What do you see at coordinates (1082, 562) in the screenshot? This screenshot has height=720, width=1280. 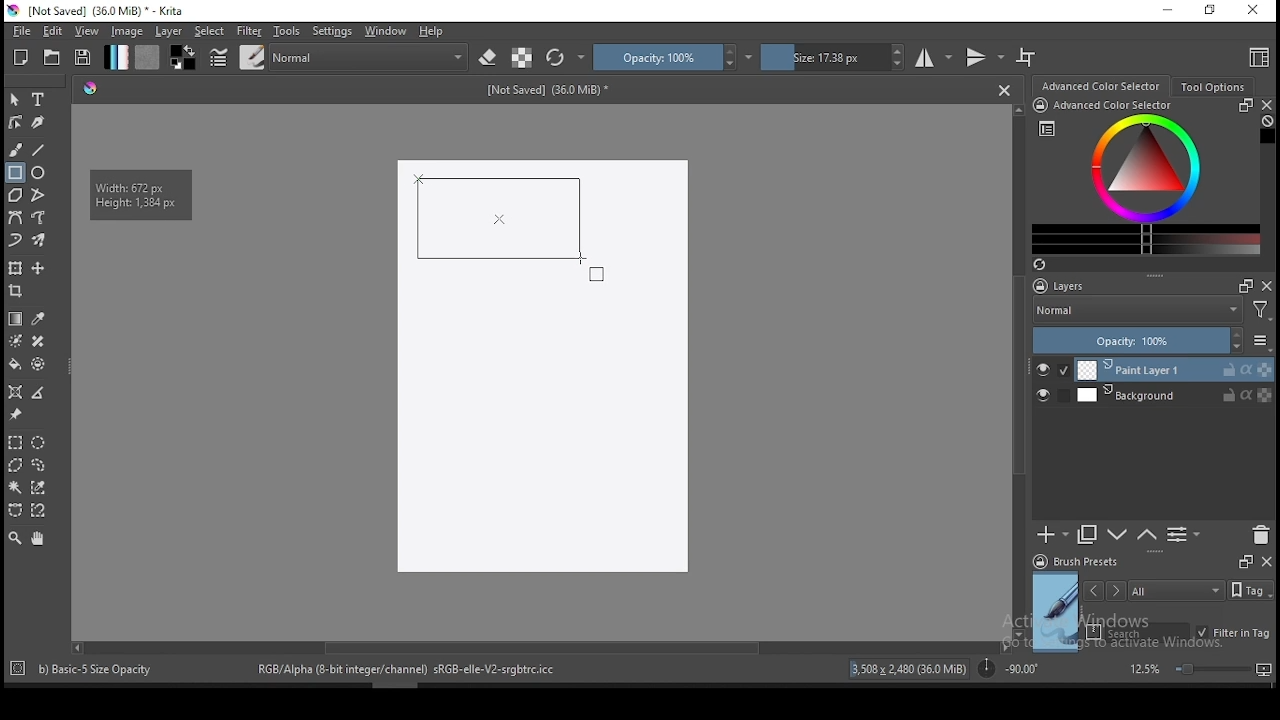 I see `brush presets` at bounding box center [1082, 562].